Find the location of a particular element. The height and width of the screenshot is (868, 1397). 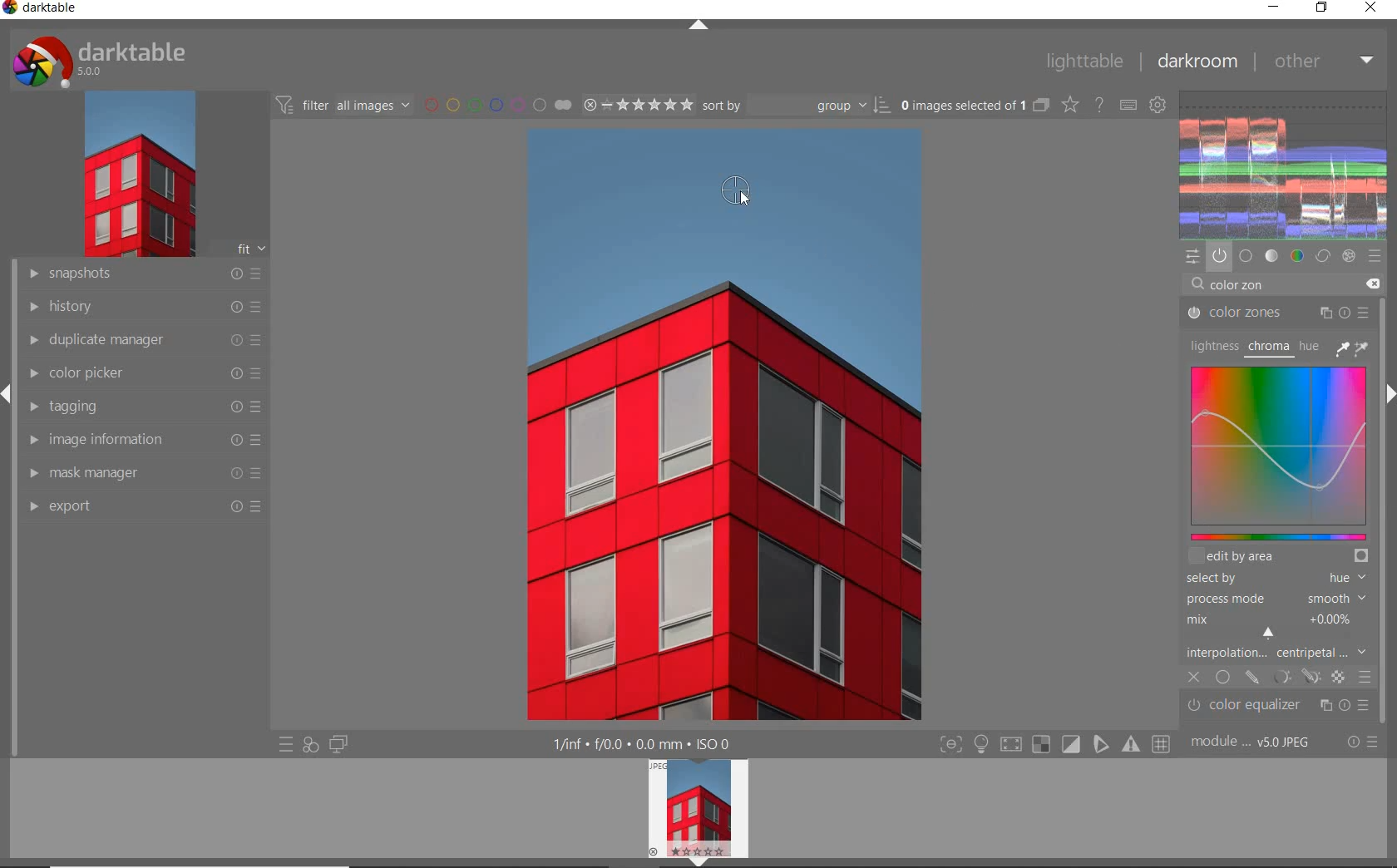

color equalizer is located at coordinates (1279, 708).